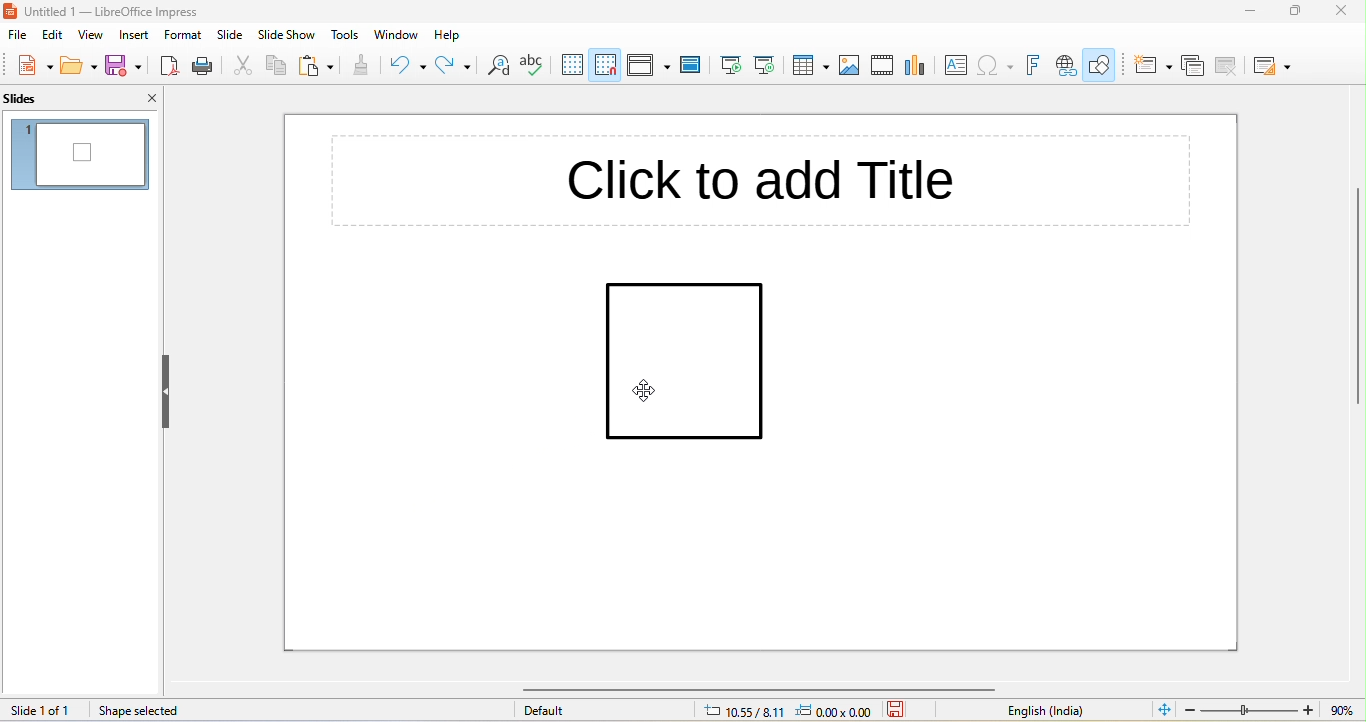  I want to click on export pdf, so click(169, 65).